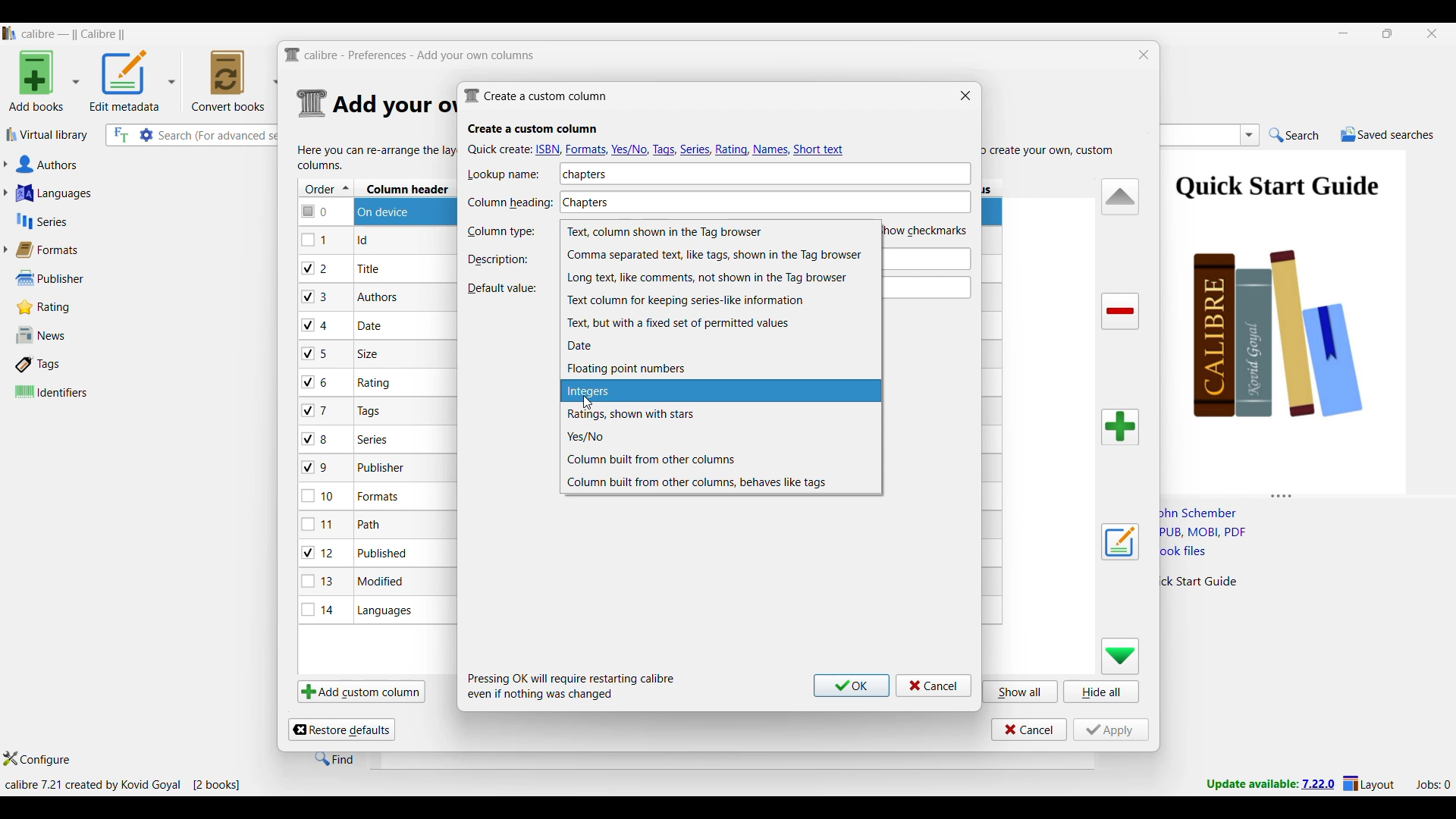  I want to click on Layout settings, so click(1369, 783).